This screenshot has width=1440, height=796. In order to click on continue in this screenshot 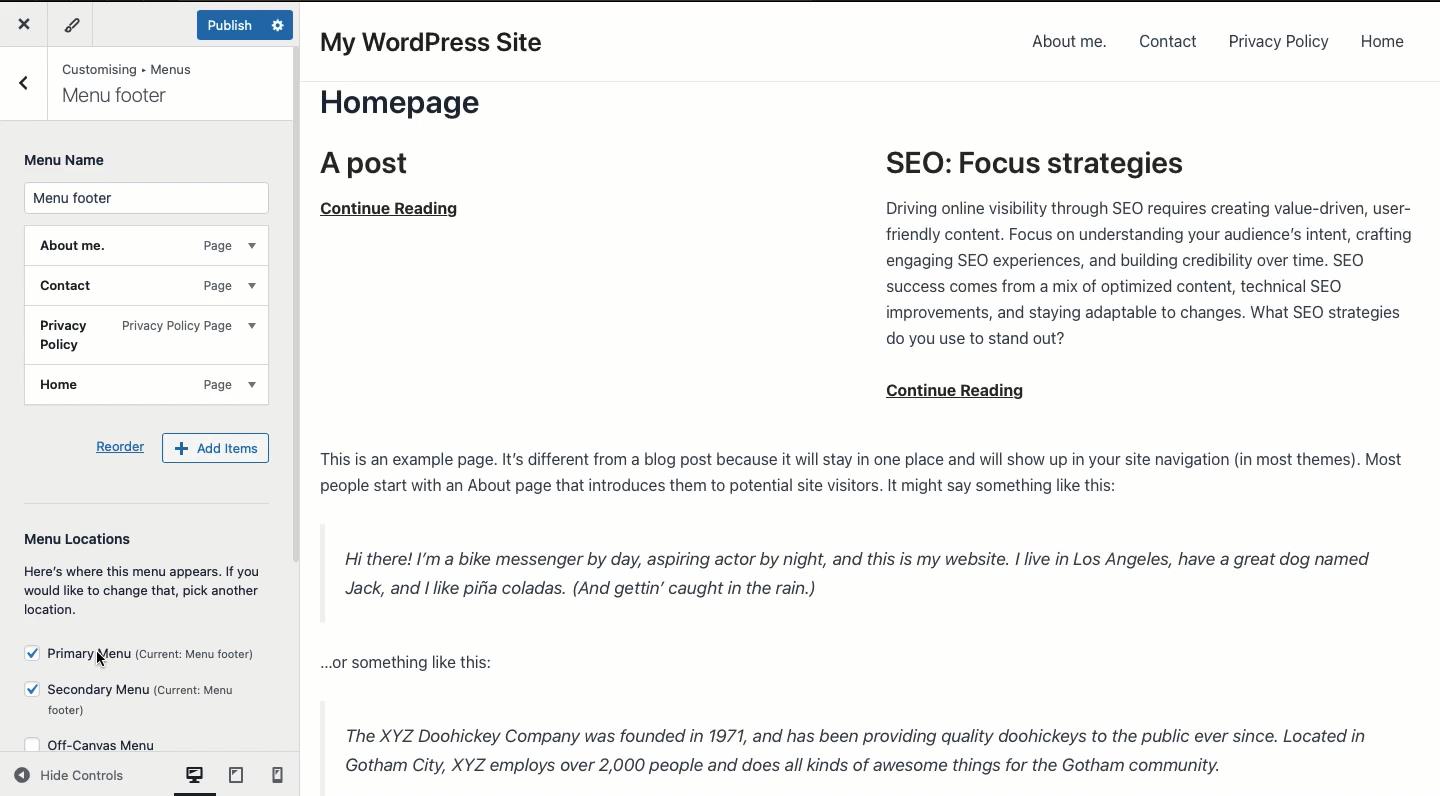, I will do `click(395, 208)`.